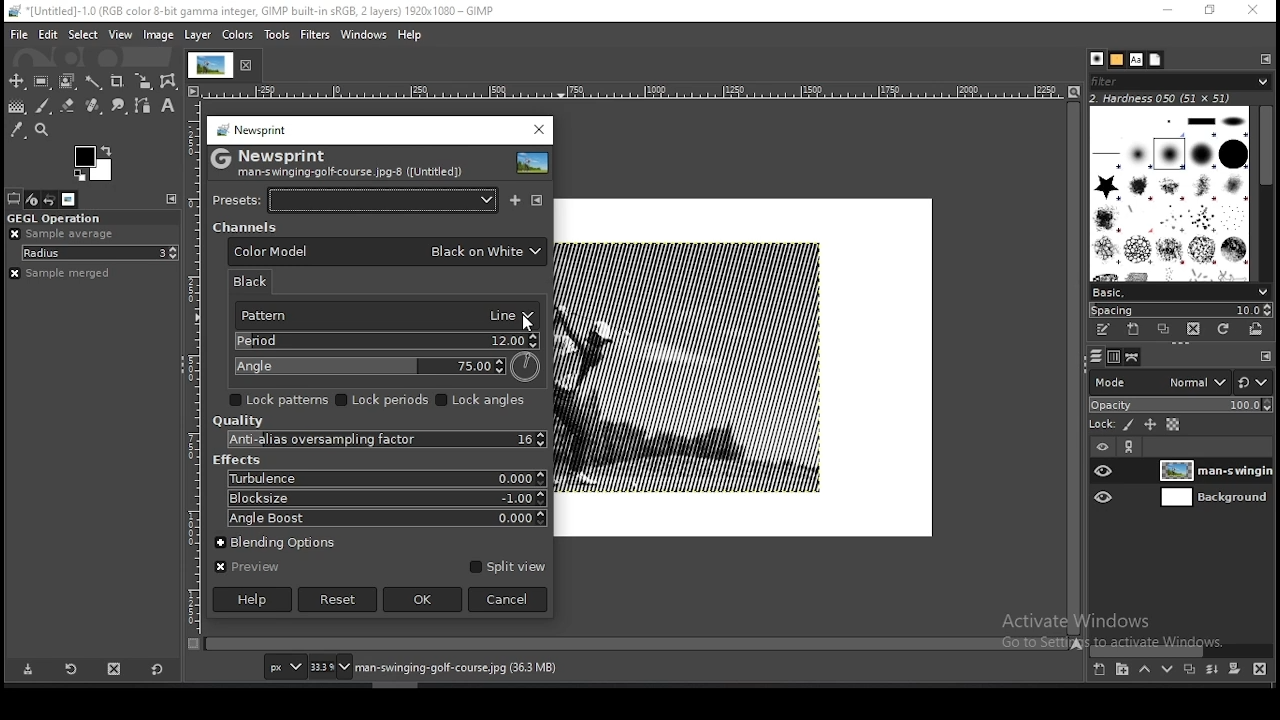  What do you see at coordinates (1100, 669) in the screenshot?
I see `create a new layer` at bounding box center [1100, 669].